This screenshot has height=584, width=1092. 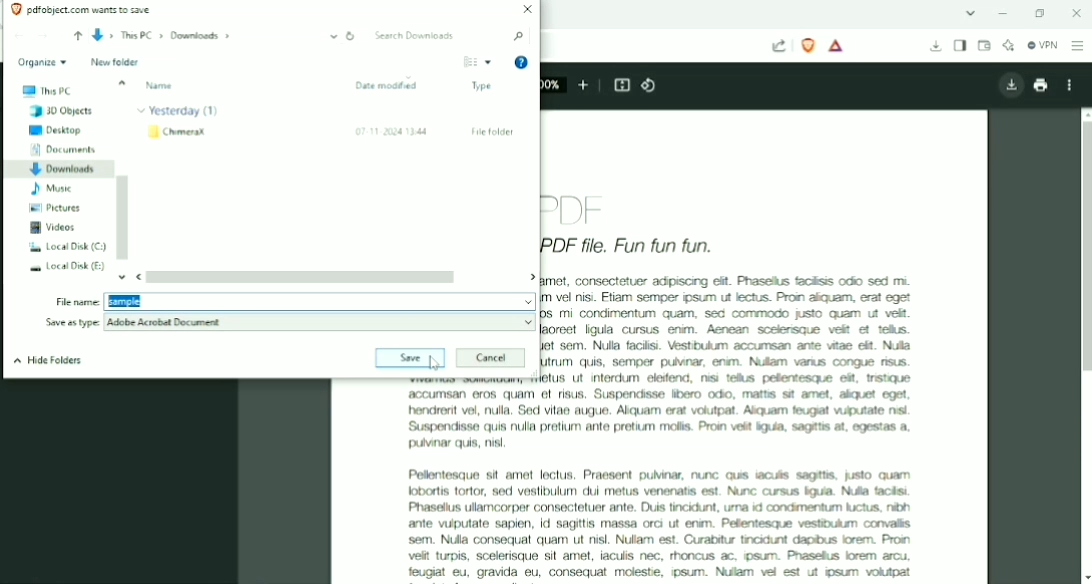 I want to click on Cursor, so click(x=432, y=363).